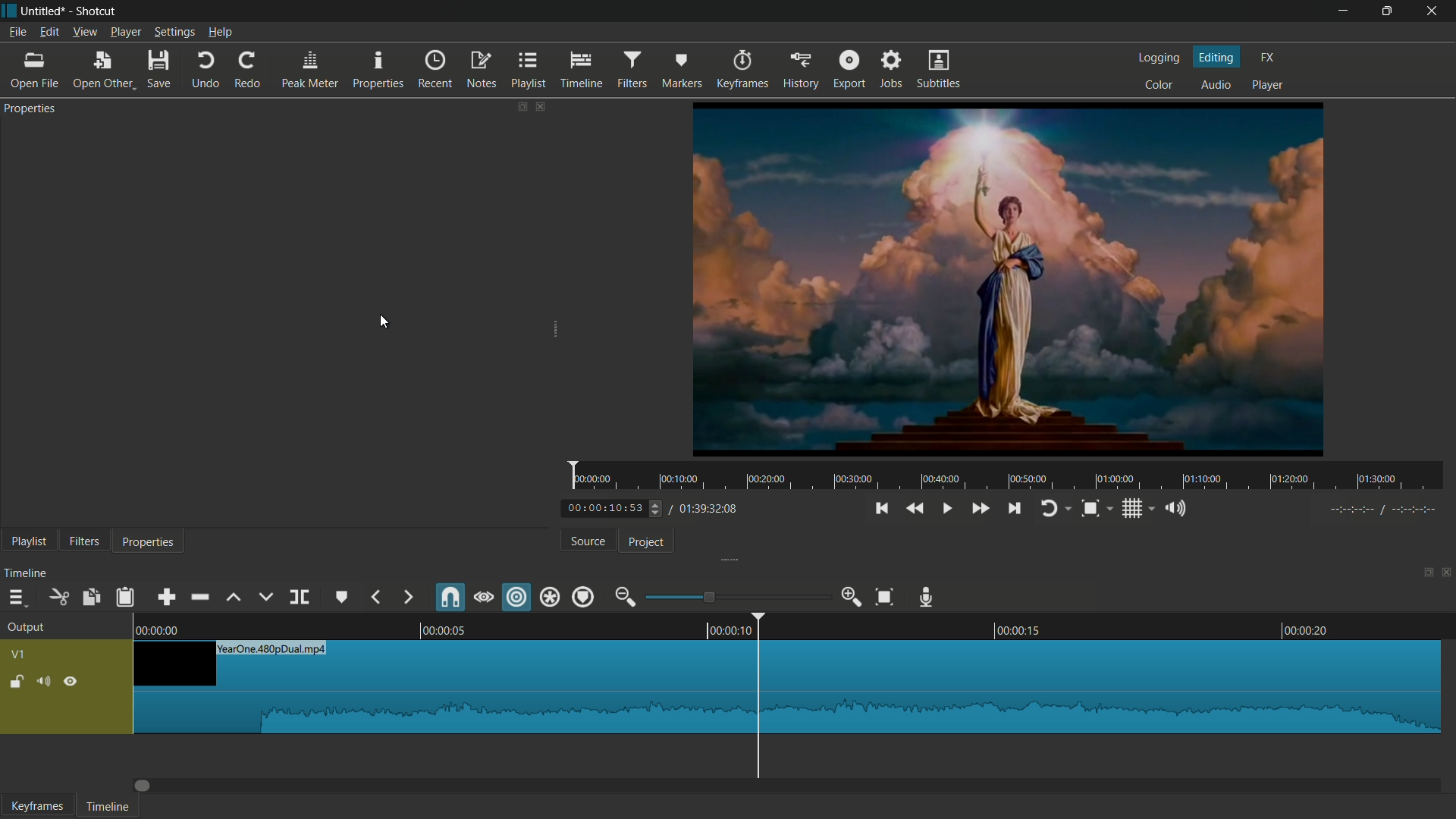  Describe the element at coordinates (39, 807) in the screenshot. I see `keyframes` at that location.